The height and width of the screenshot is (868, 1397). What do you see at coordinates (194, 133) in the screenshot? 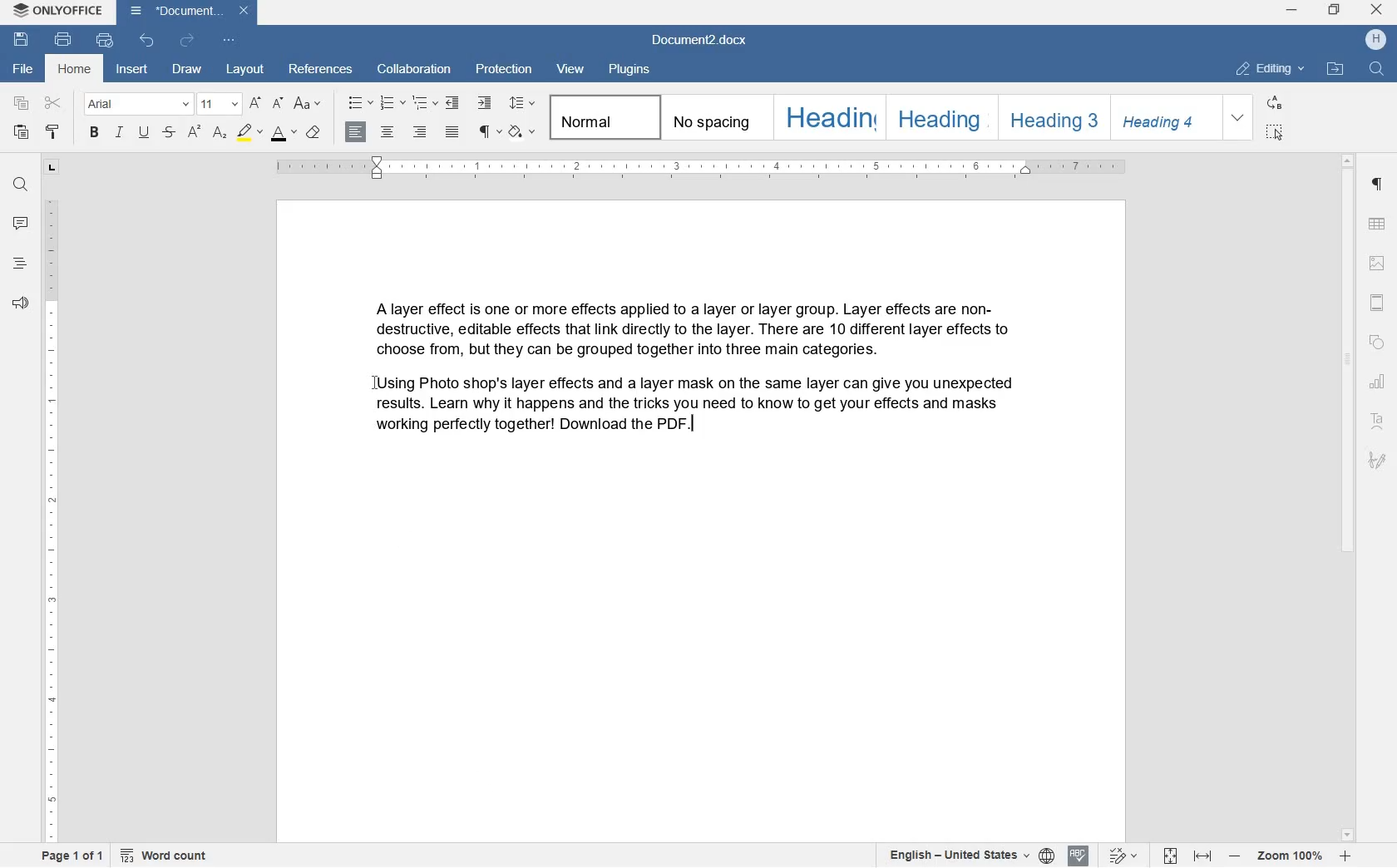
I see `SUPERSCRIPT` at bounding box center [194, 133].